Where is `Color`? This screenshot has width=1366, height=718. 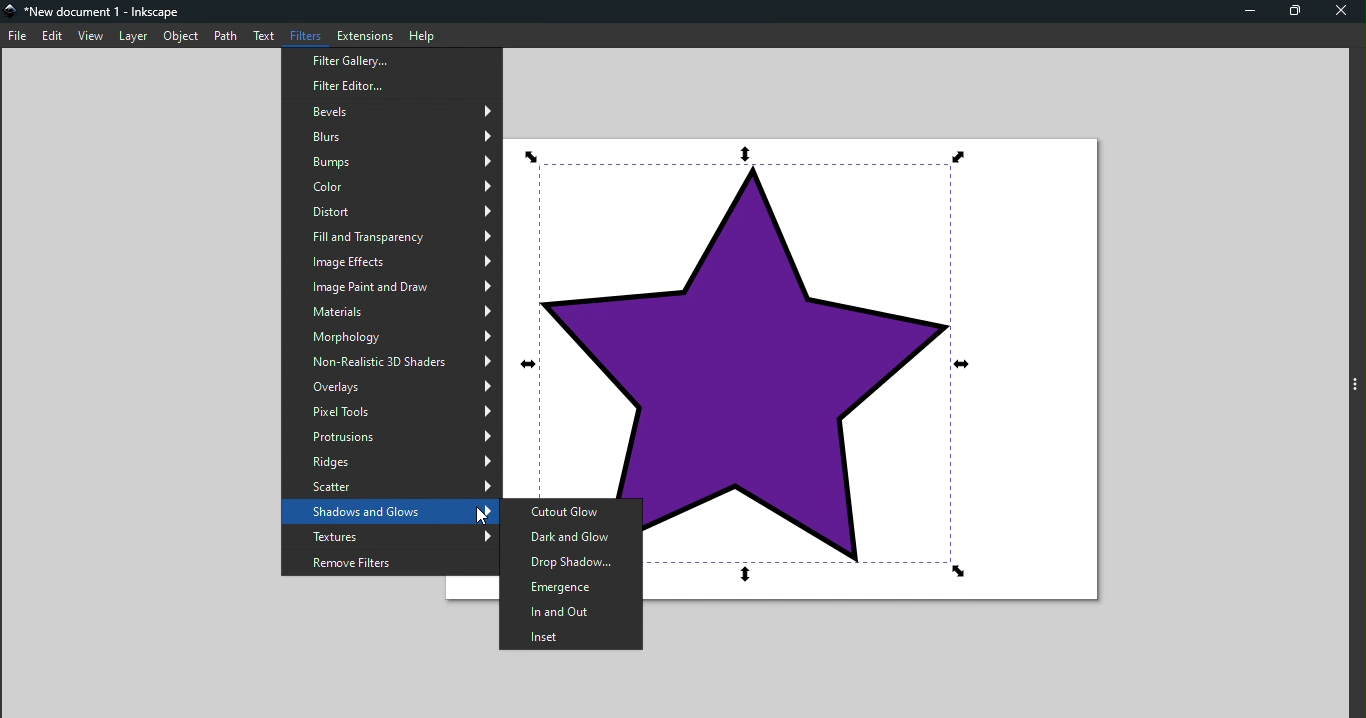
Color is located at coordinates (390, 187).